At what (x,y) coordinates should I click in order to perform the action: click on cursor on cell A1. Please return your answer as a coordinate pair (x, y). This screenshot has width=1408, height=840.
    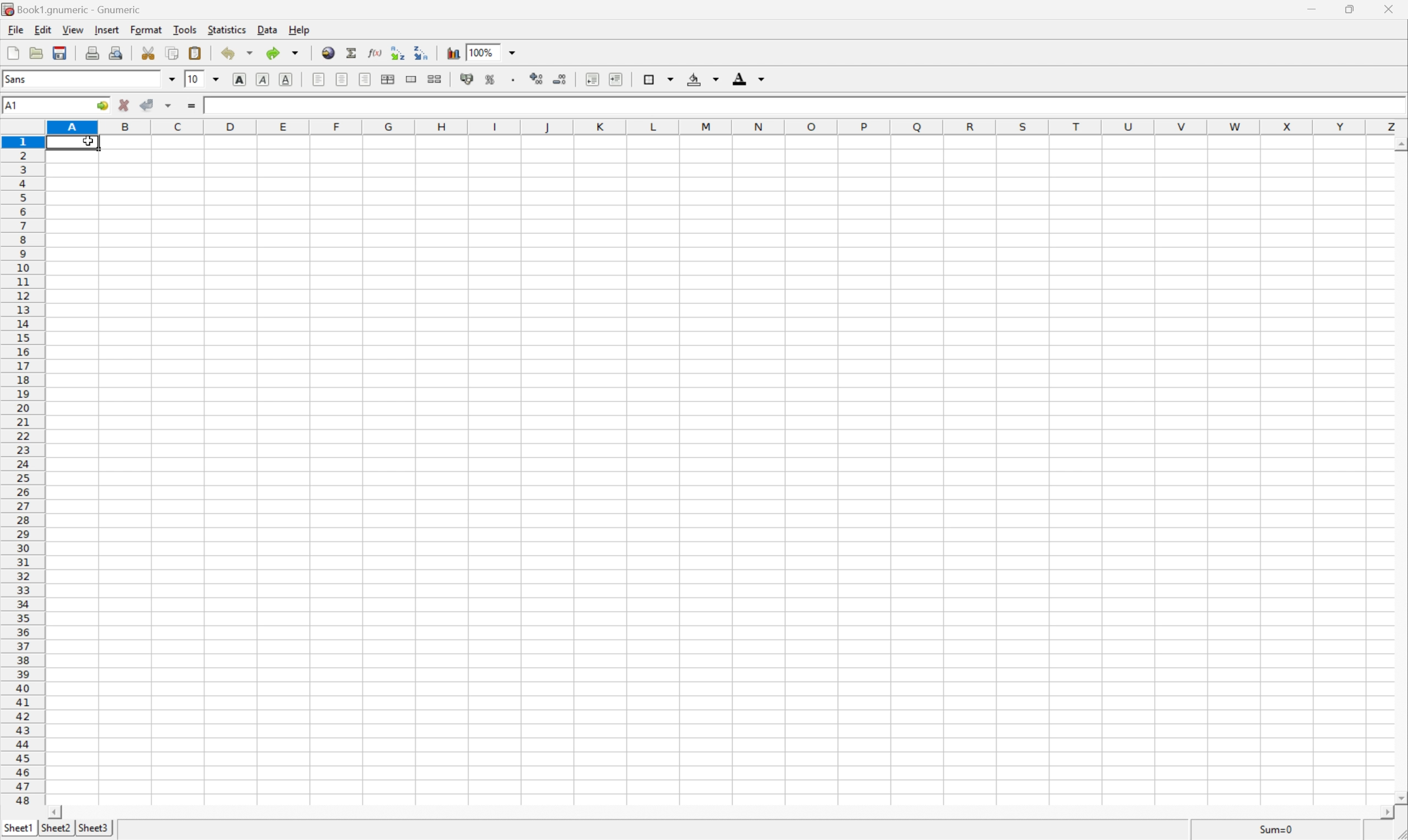
    Looking at the image, I should click on (89, 143).